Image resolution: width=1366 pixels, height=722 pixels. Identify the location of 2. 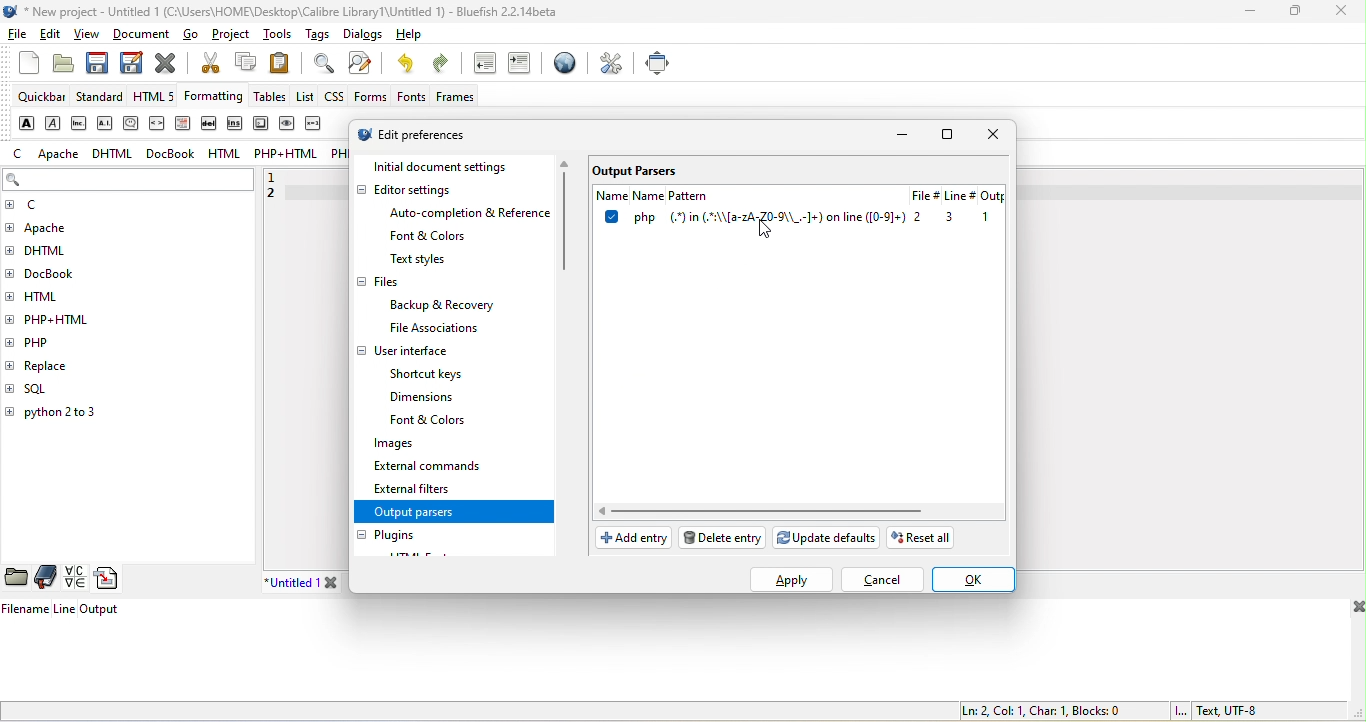
(277, 196).